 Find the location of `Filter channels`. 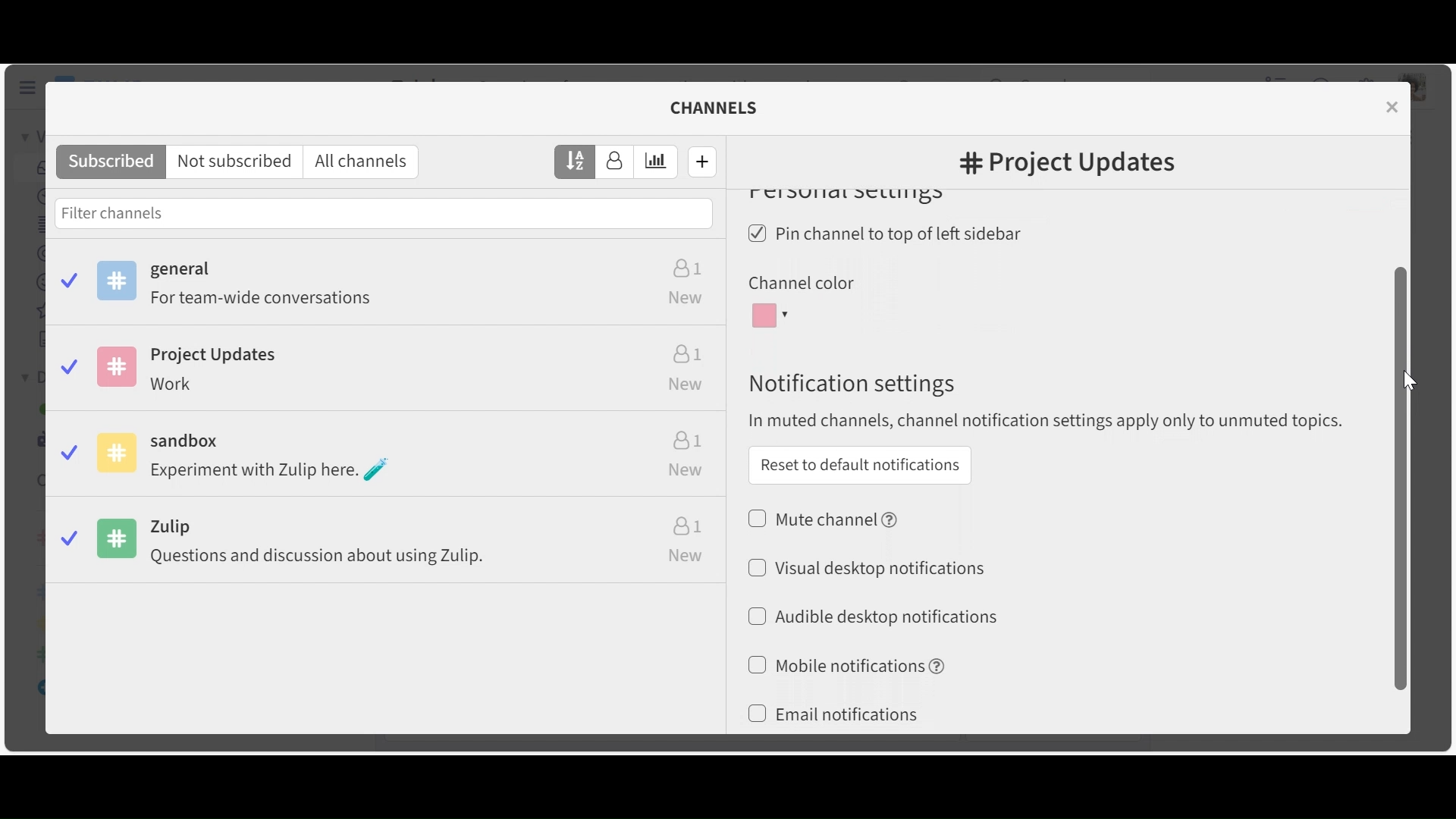

Filter channels is located at coordinates (384, 212).